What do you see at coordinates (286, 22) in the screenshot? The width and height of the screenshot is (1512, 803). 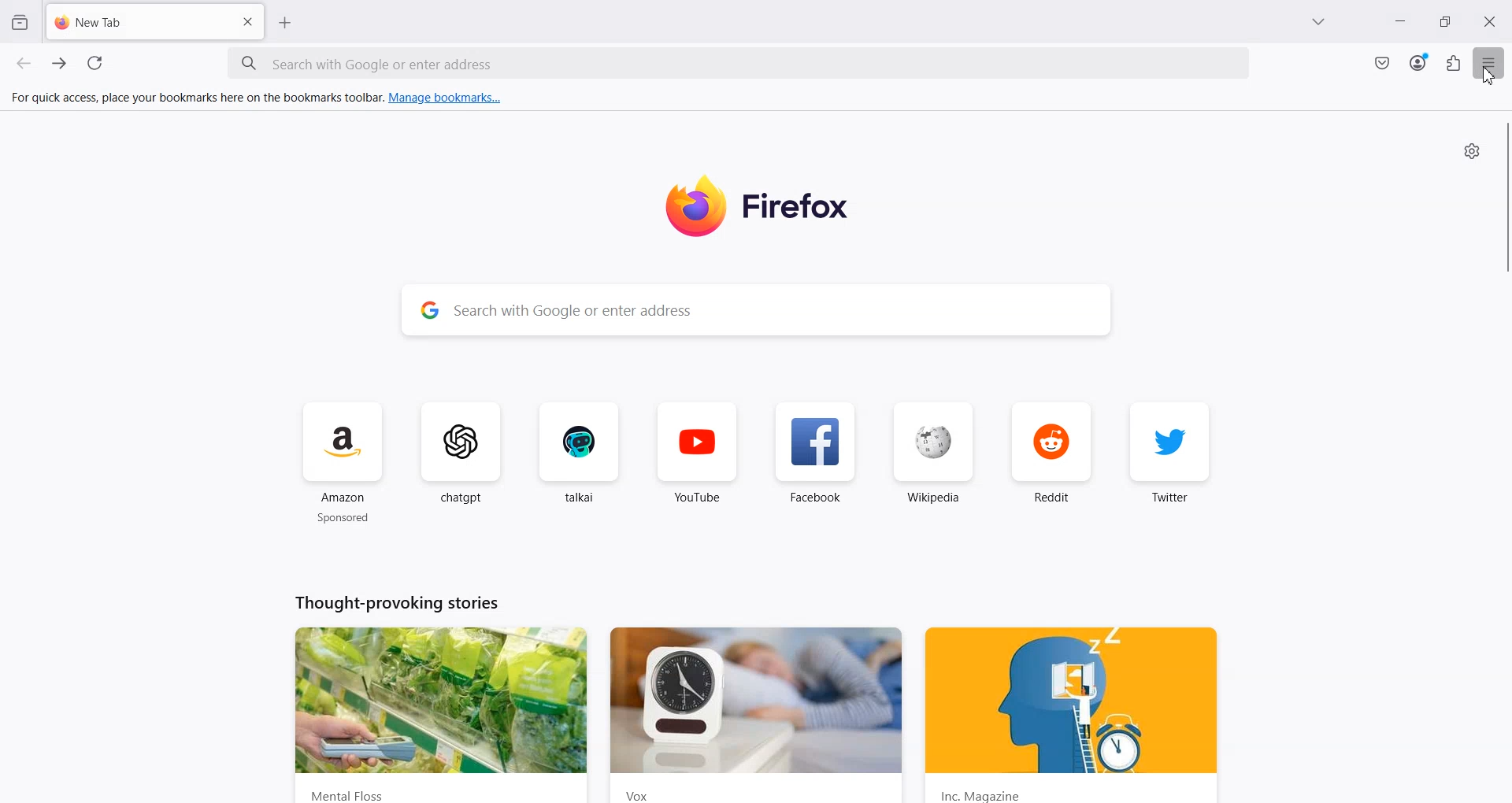 I see `New Tab` at bounding box center [286, 22].